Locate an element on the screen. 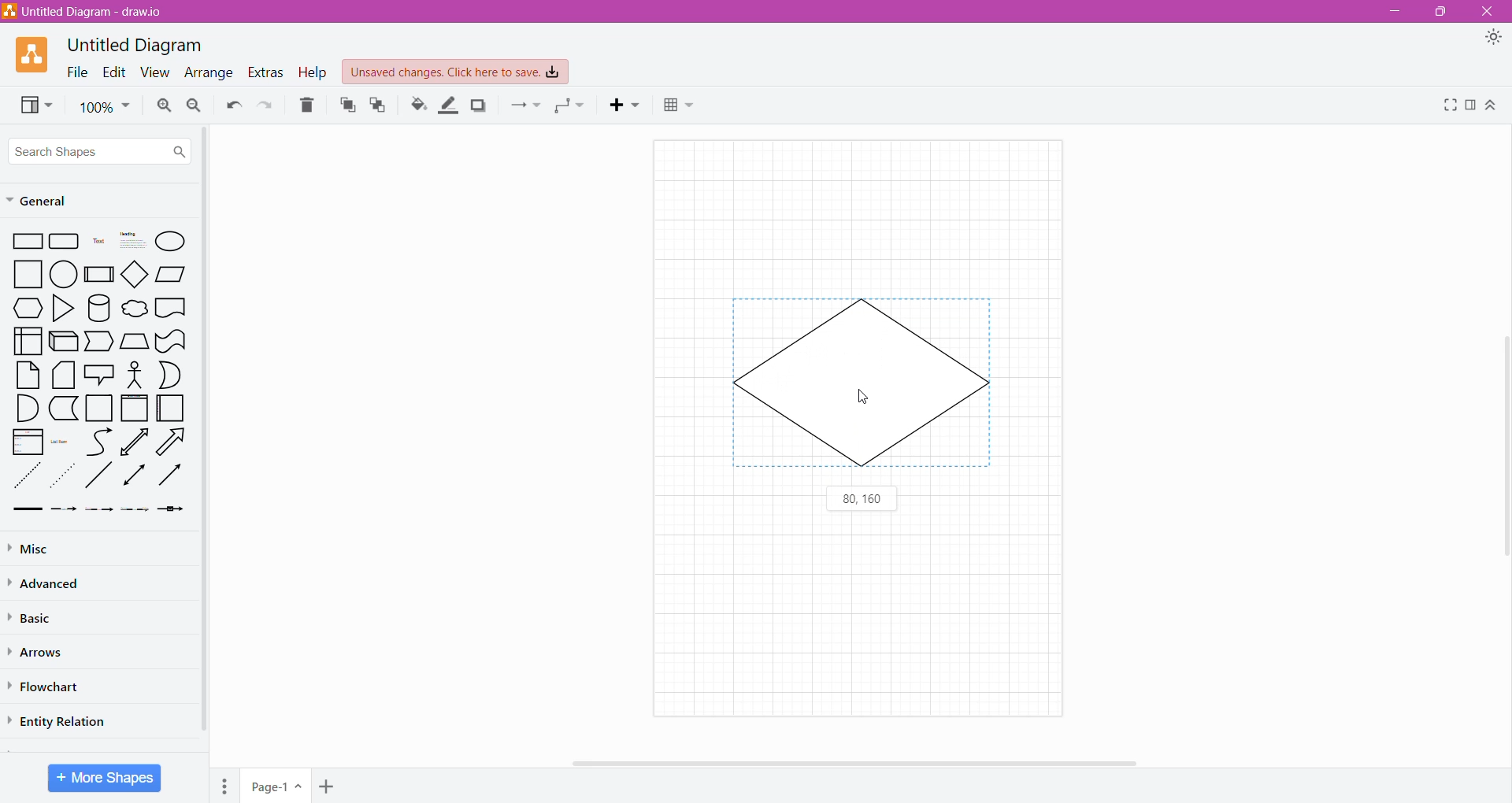 The height and width of the screenshot is (803, 1512). Bidirectional Connector is located at coordinates (135, 478).